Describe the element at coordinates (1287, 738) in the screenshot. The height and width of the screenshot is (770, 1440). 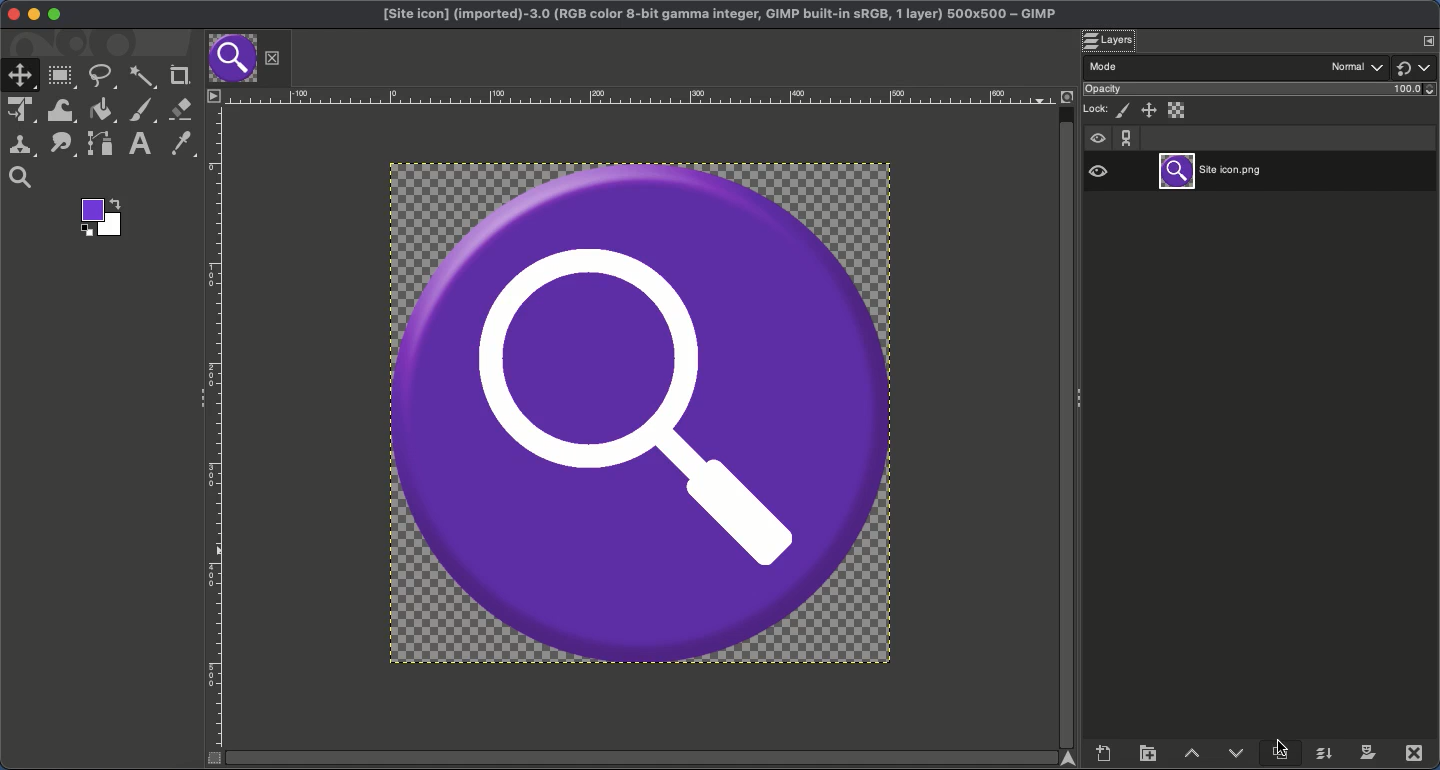
I see `cursor` at that location.